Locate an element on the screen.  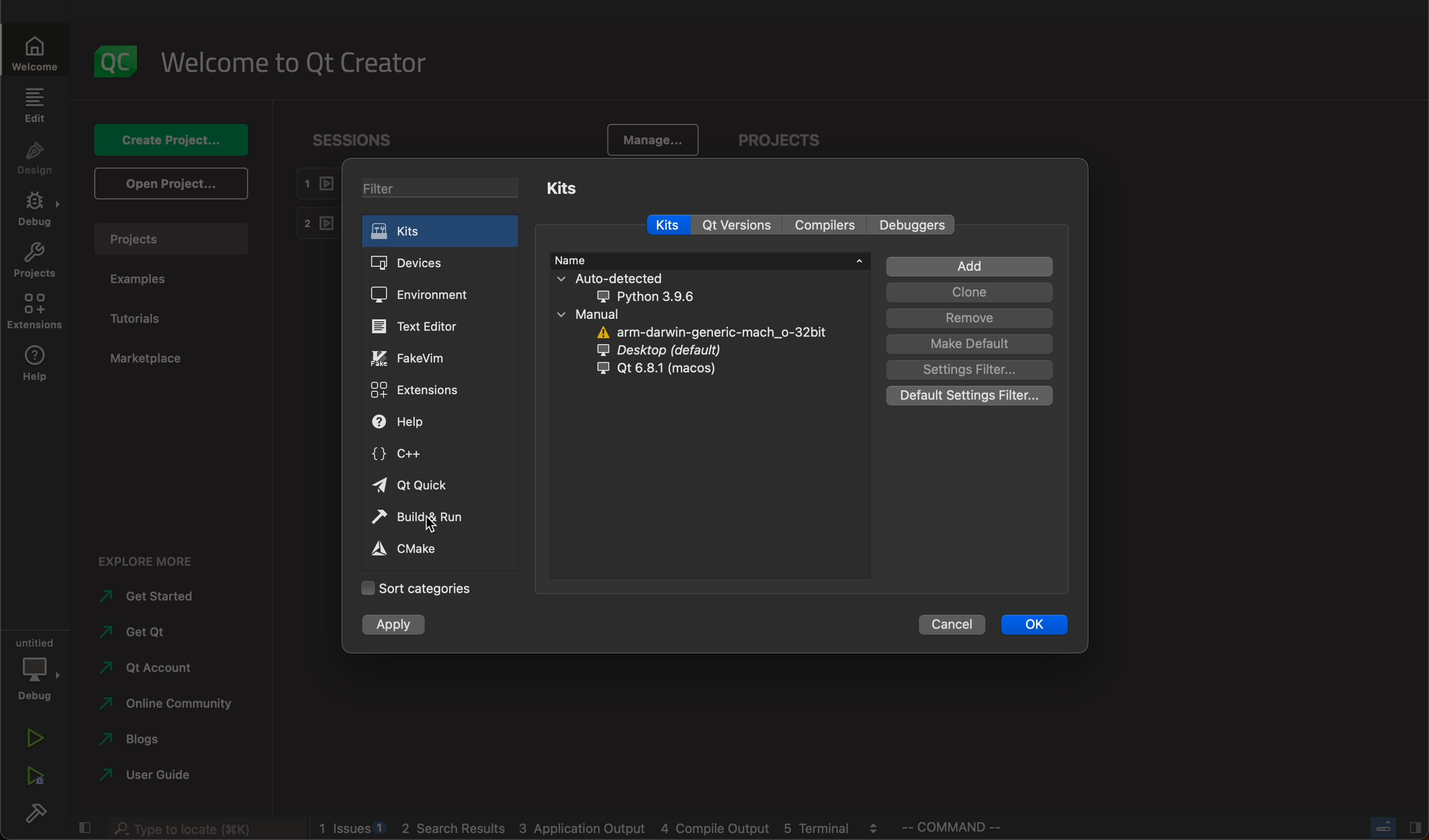
debuggers is located at coordinates (916, 224).